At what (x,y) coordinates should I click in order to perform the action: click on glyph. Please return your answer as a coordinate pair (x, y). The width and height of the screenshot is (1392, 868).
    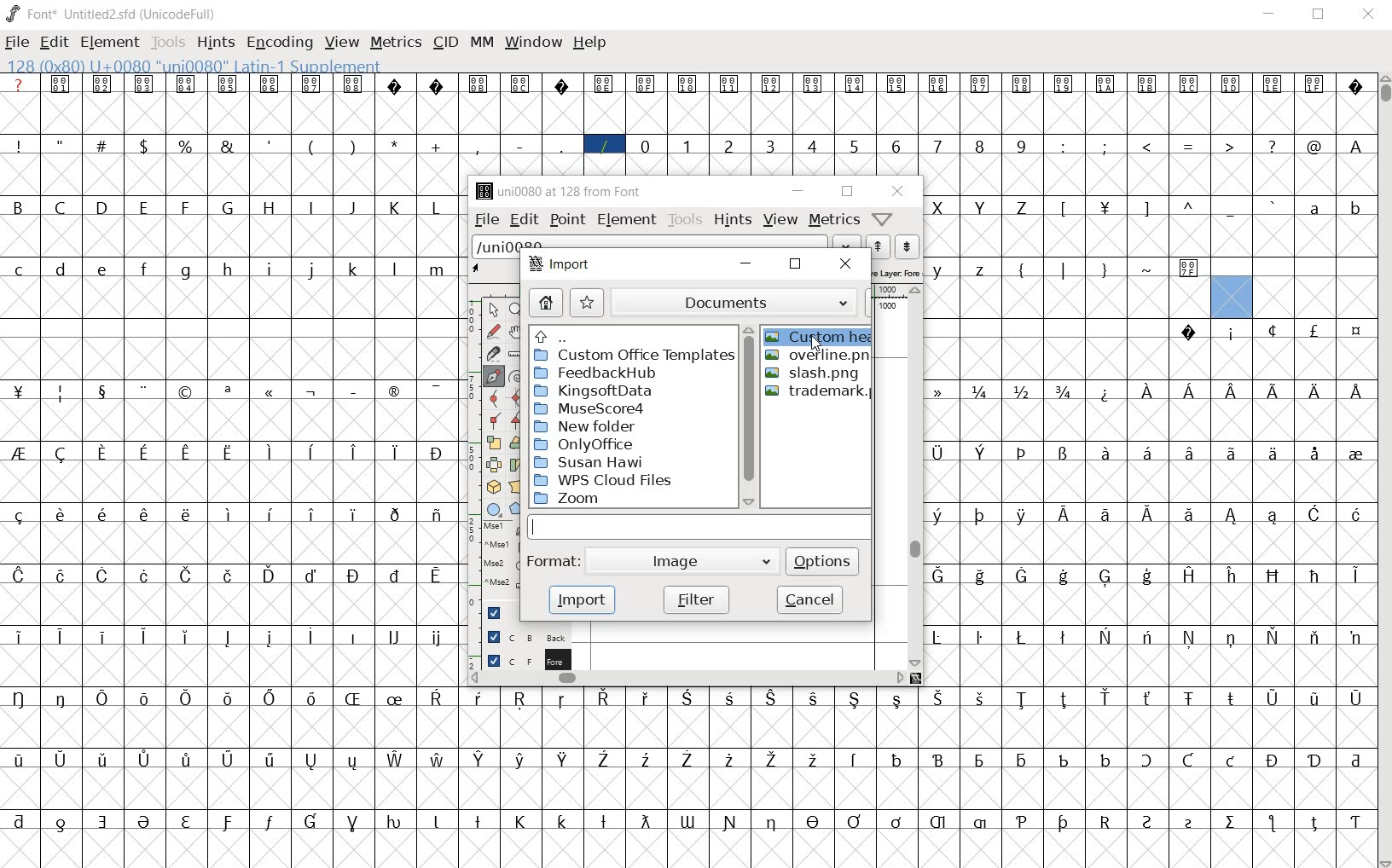
    Looking at the image, I should click on (647, 761).